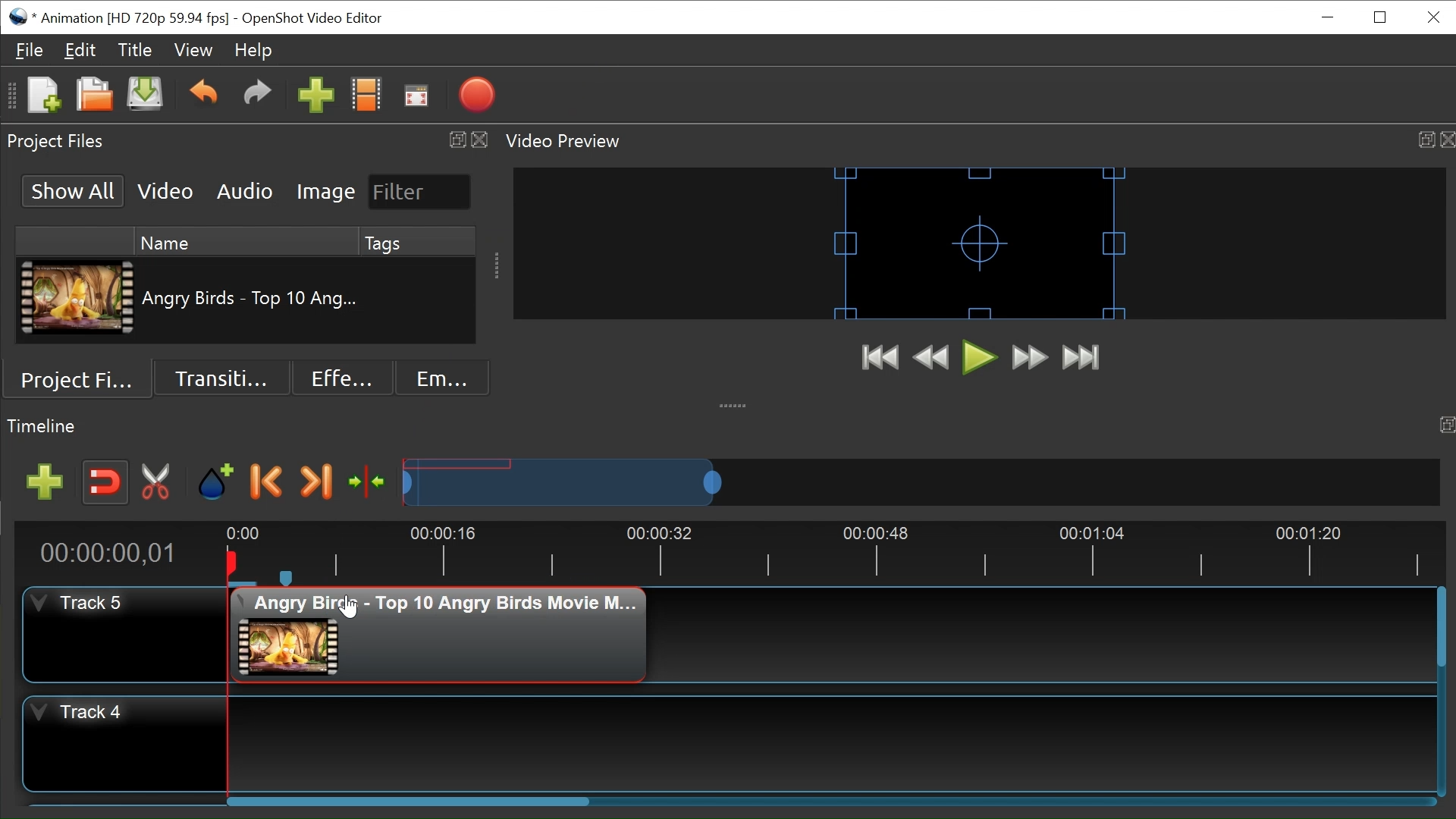 This screenshot has height=819, width=1456. I want to click on Name, so click(245, 242).